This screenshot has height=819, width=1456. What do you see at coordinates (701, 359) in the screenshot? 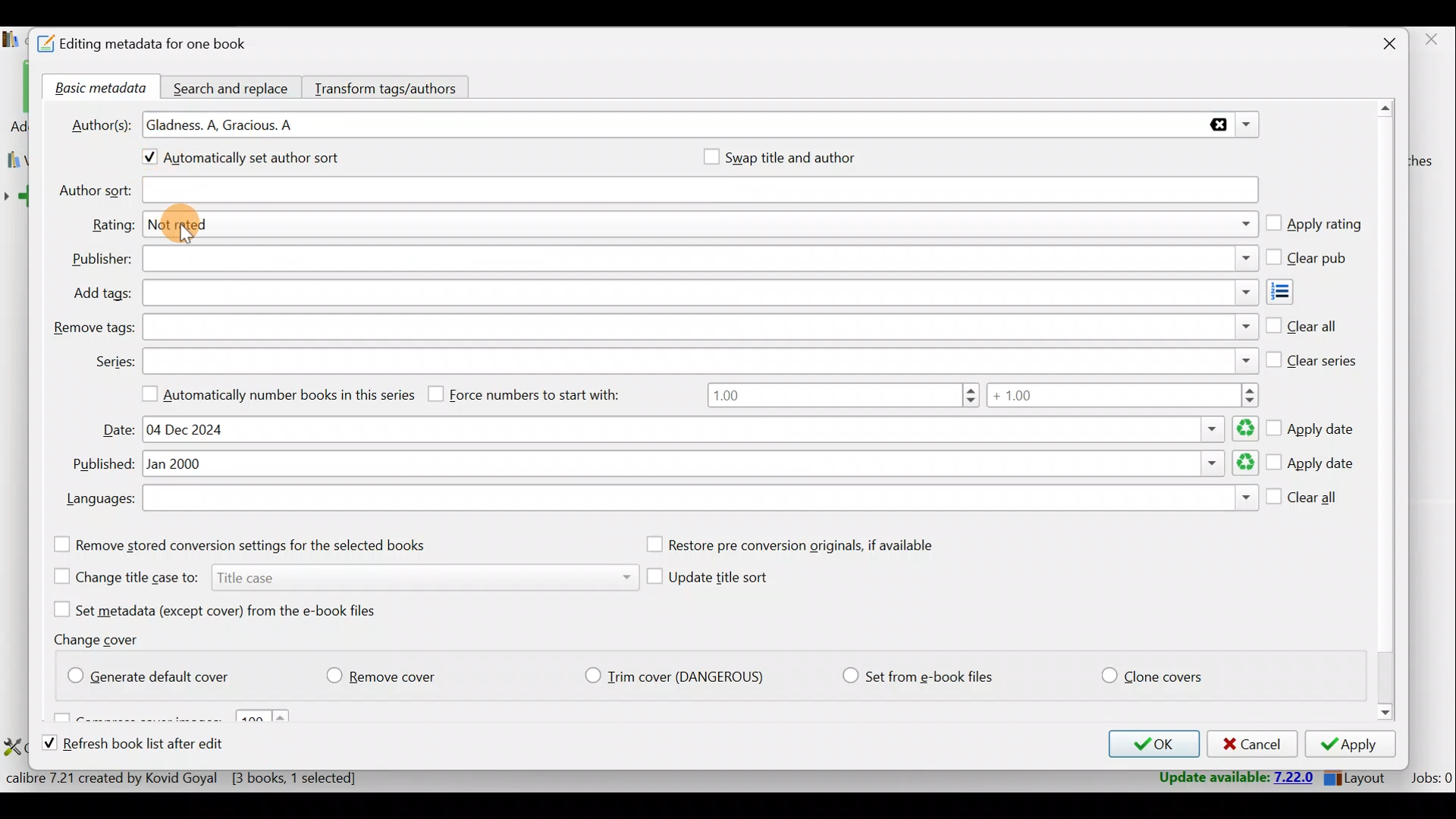
I see `Series` at bounding box center [701, 359].